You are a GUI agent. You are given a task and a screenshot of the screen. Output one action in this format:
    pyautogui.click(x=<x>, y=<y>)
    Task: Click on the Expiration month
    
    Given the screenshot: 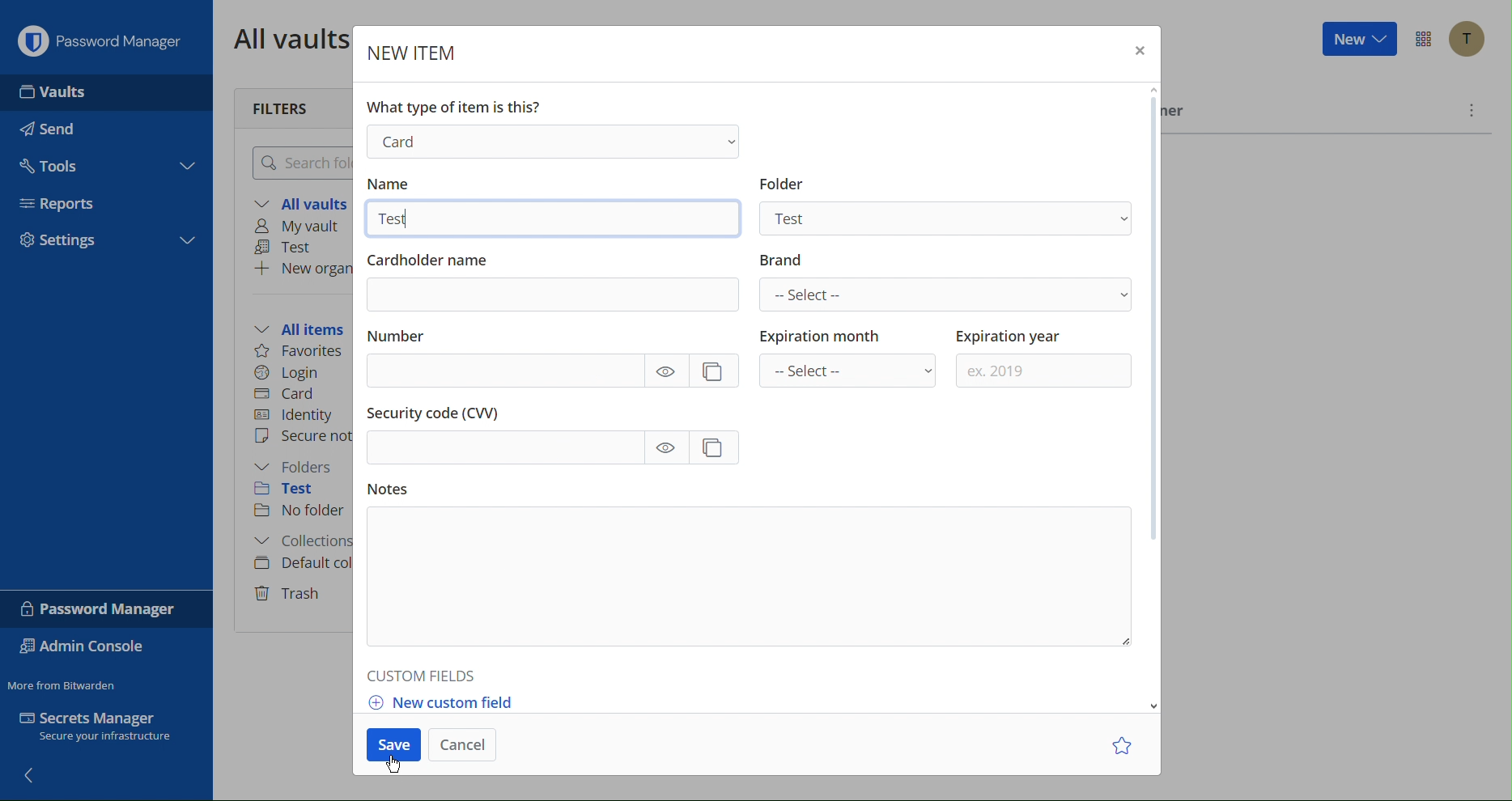 What is the action you would take?
    pyautogui.click(x=848, y=358)
    